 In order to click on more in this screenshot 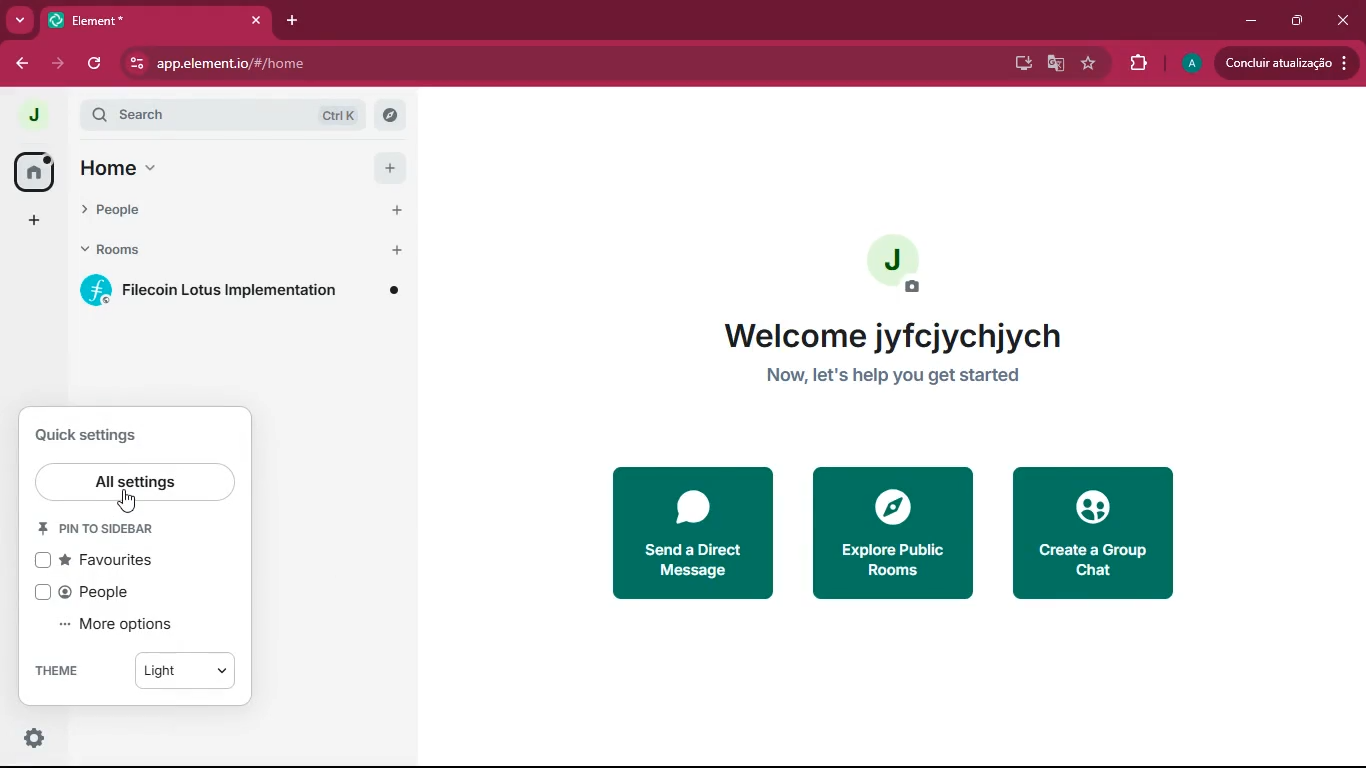, I will do `click(31, 221)`.